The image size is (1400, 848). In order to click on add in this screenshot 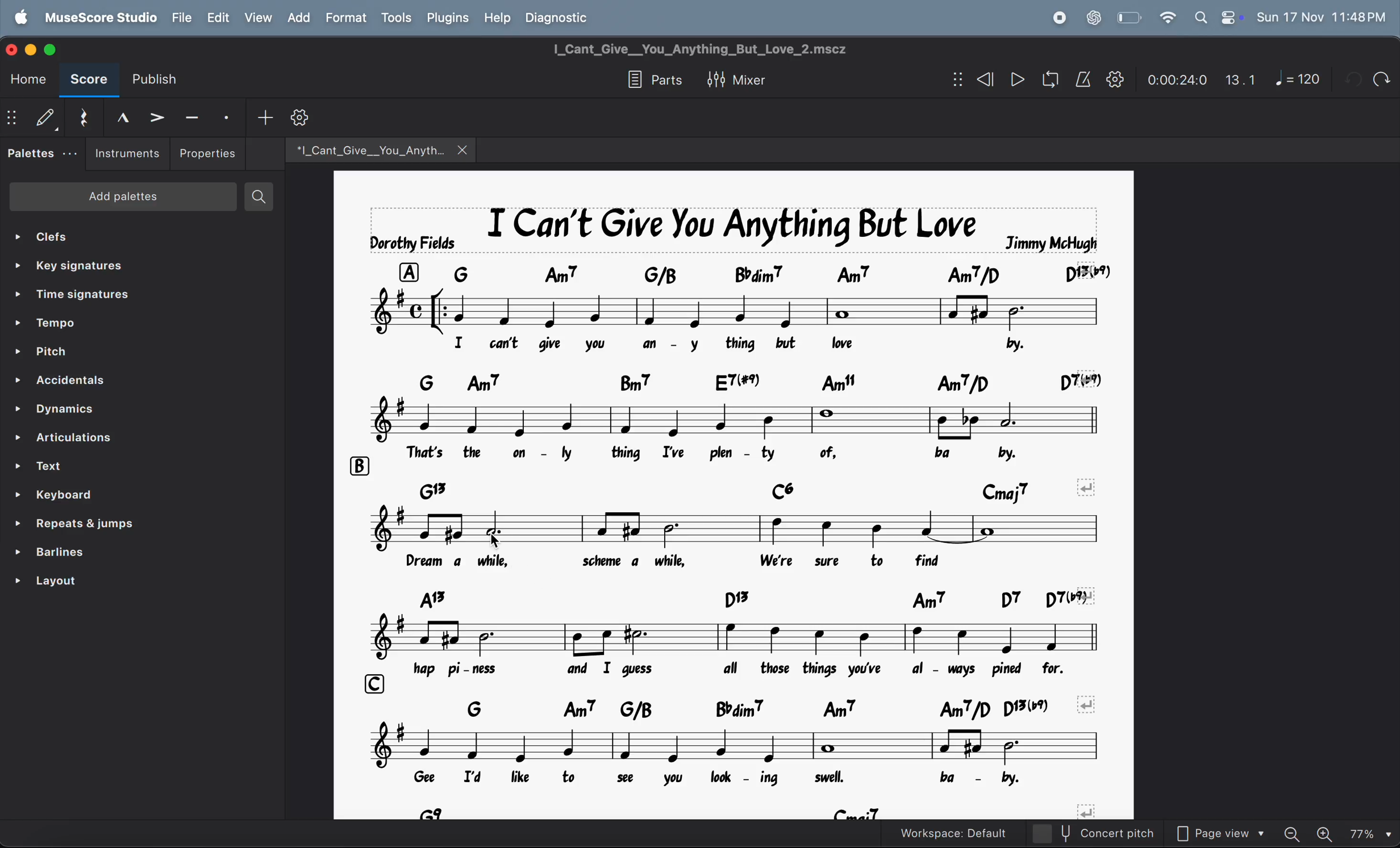, I will do `click(267, 117)`.